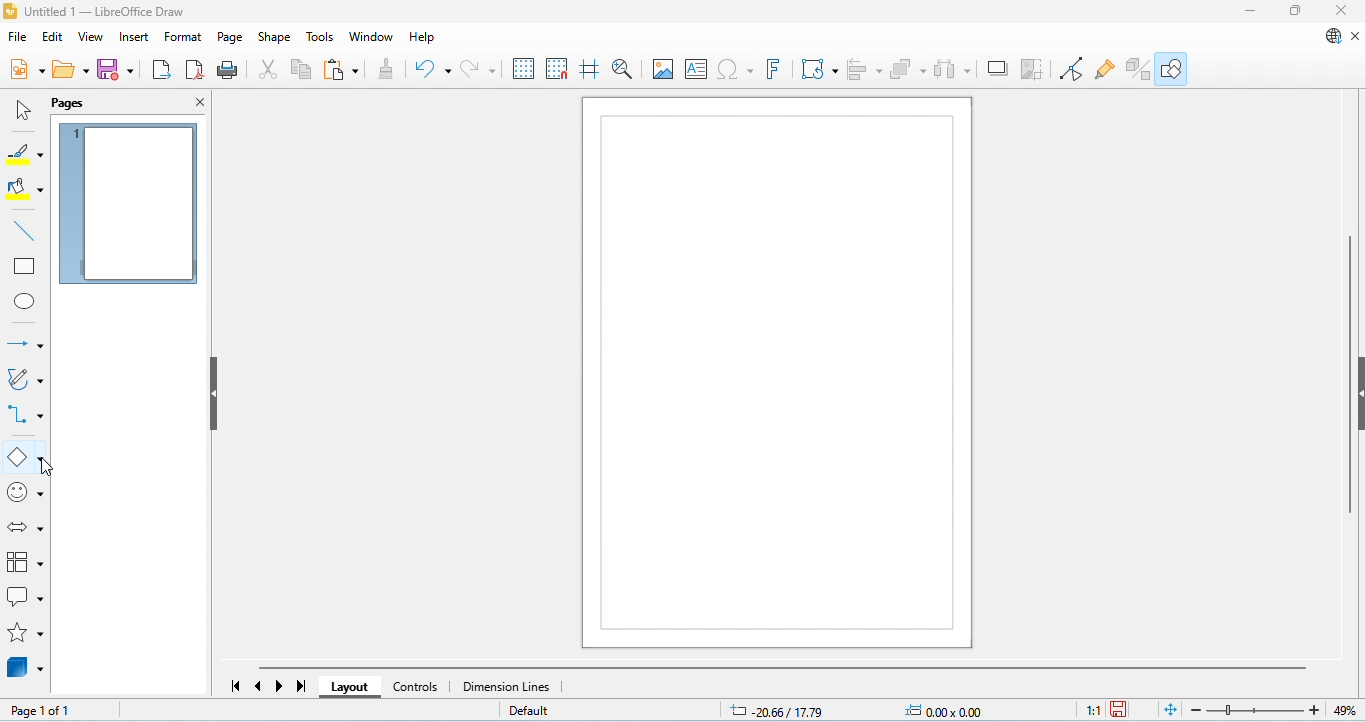 The width and height of the screenshot is (1366, 722). I want to click on drawing area, so click(778, 373).